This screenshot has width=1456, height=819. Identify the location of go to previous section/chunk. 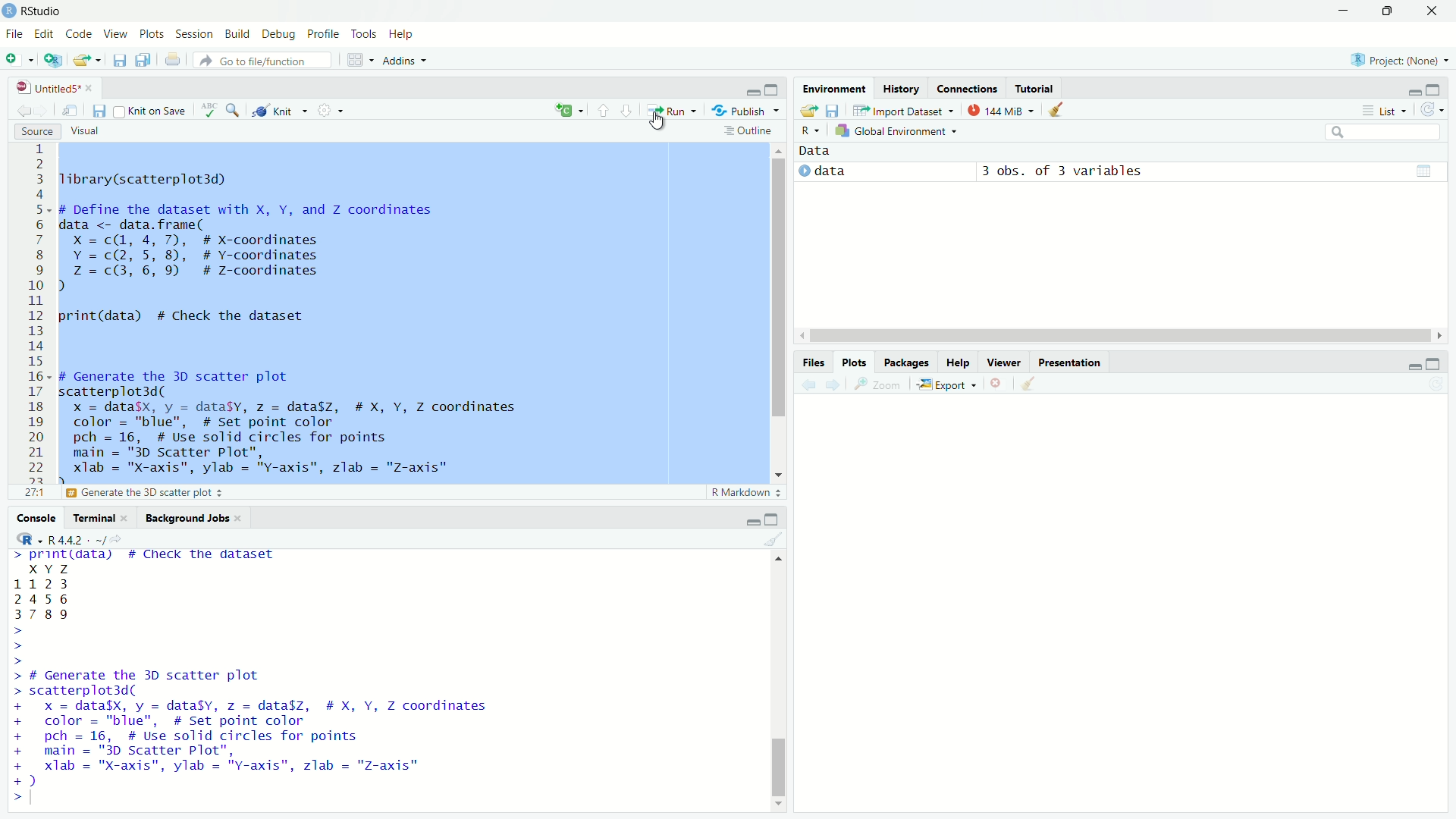
(604, 111).